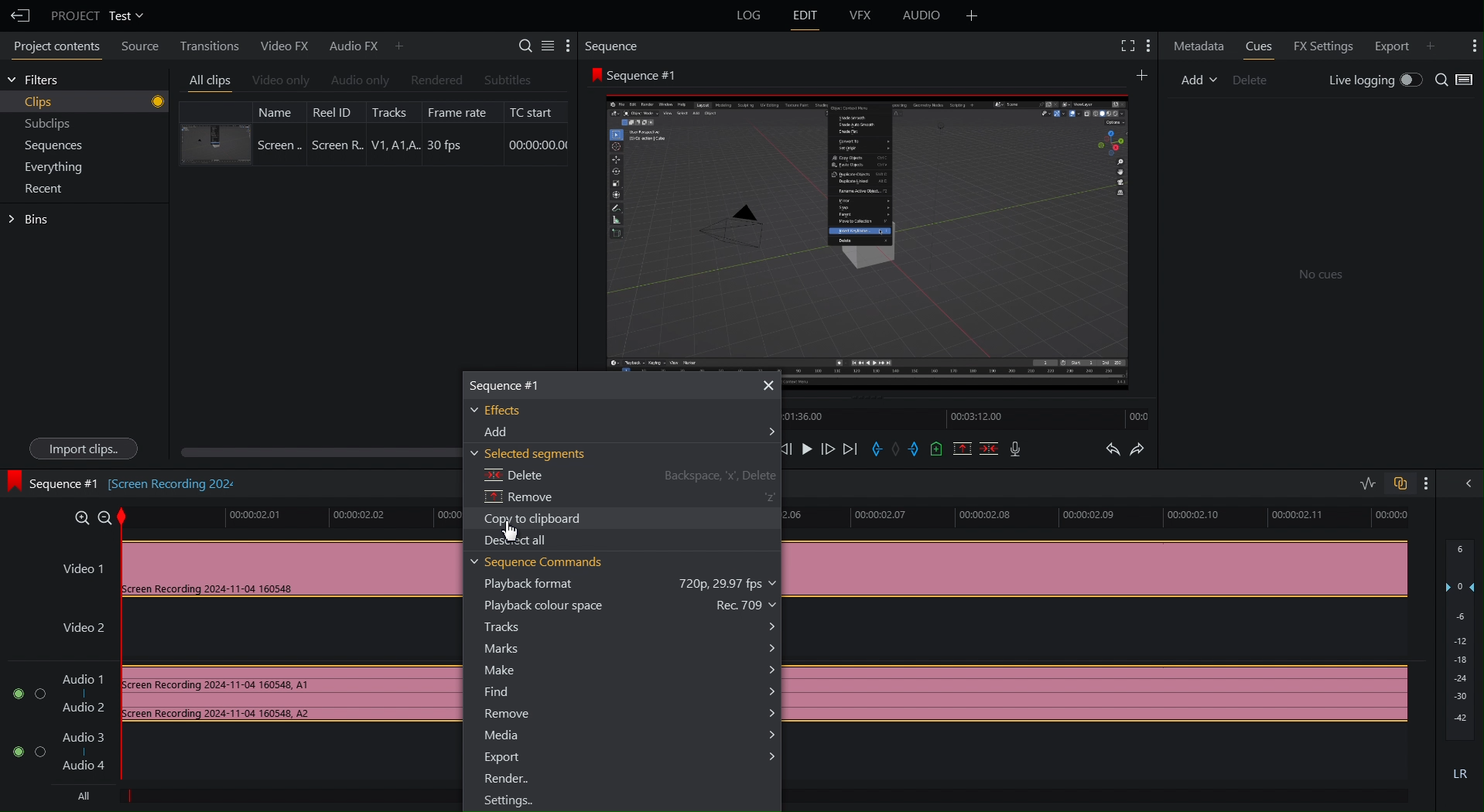 This screenshot has width=1484, height=812. I want to click on Add, so click(1194, 79).